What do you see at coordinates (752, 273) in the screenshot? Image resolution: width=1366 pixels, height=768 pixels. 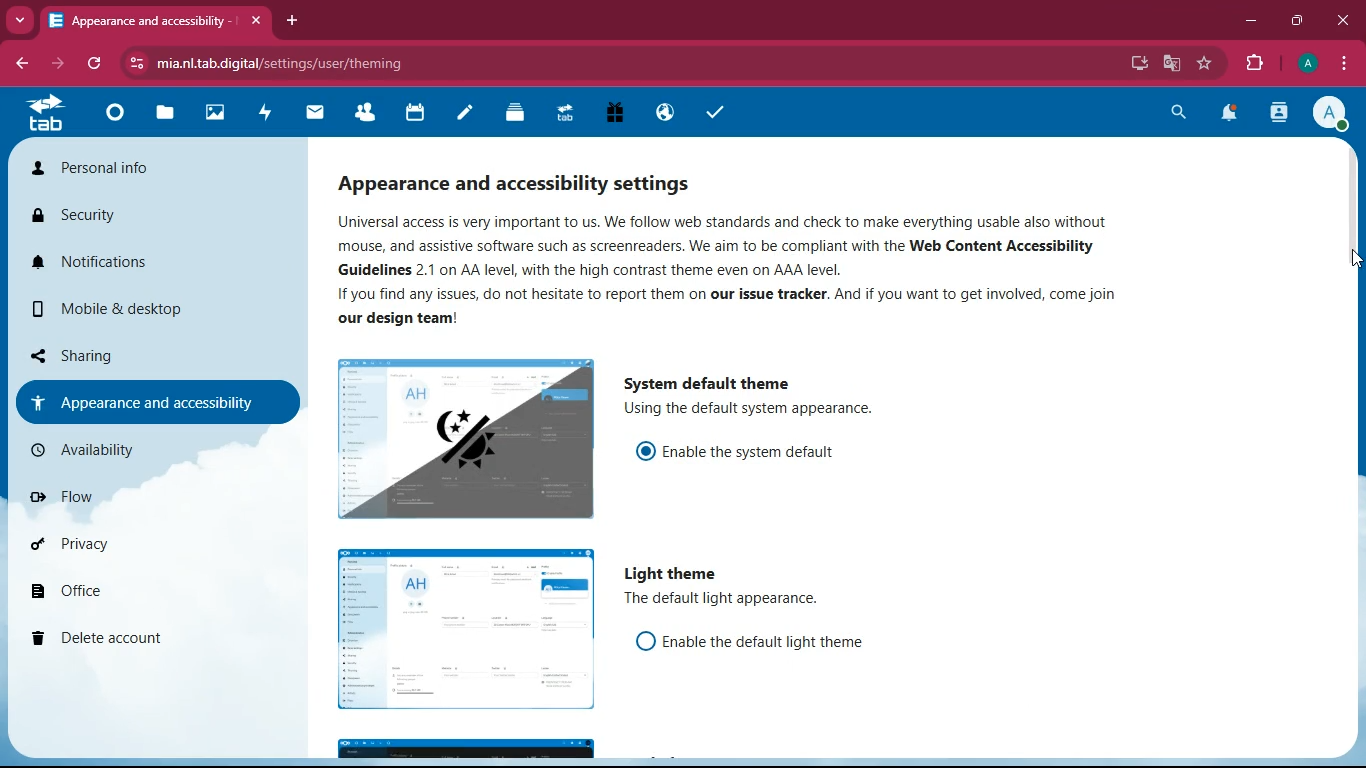 I see `description` at bounding box center [752, 273].